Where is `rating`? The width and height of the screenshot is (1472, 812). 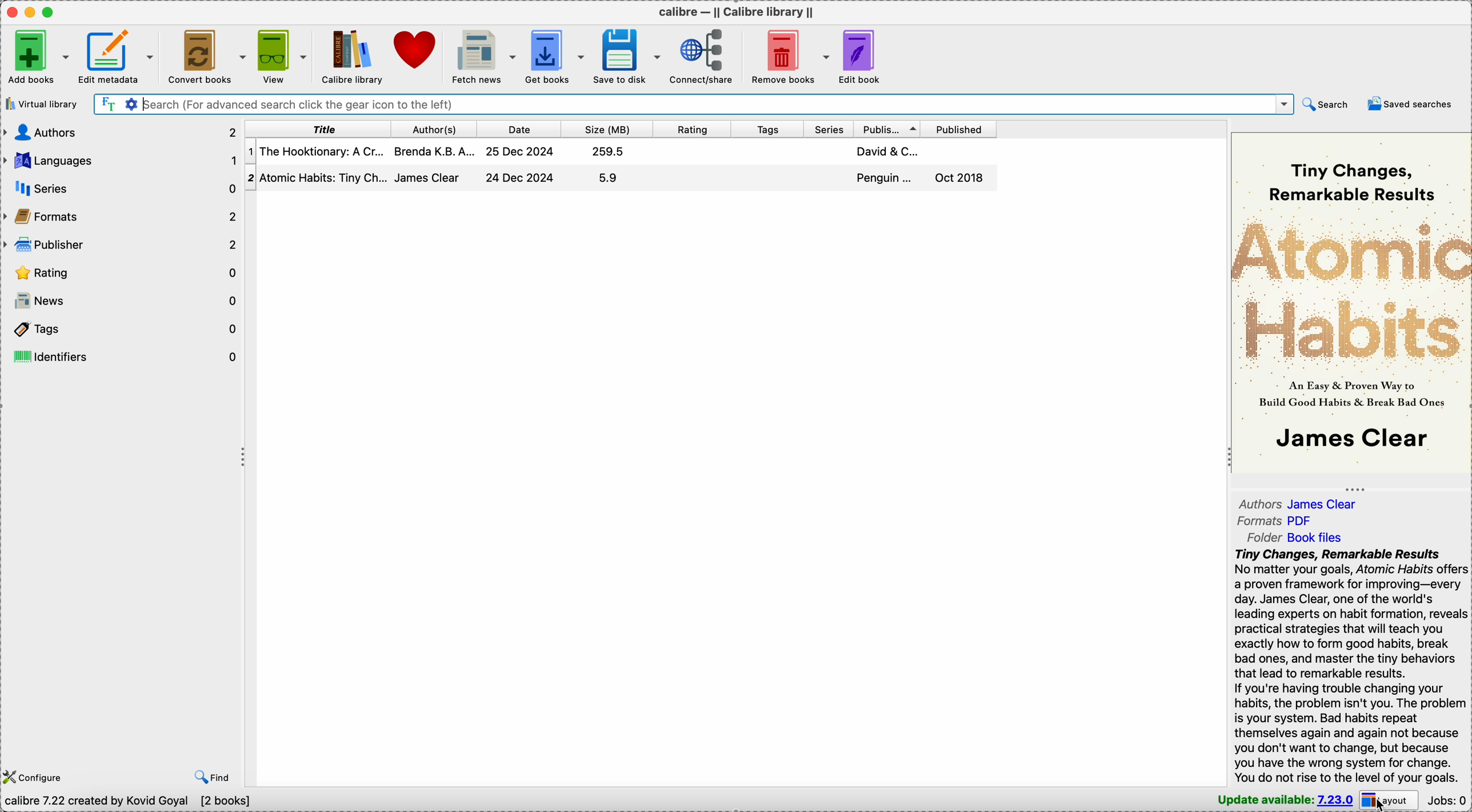 rating is located at coordinates (121, 274).